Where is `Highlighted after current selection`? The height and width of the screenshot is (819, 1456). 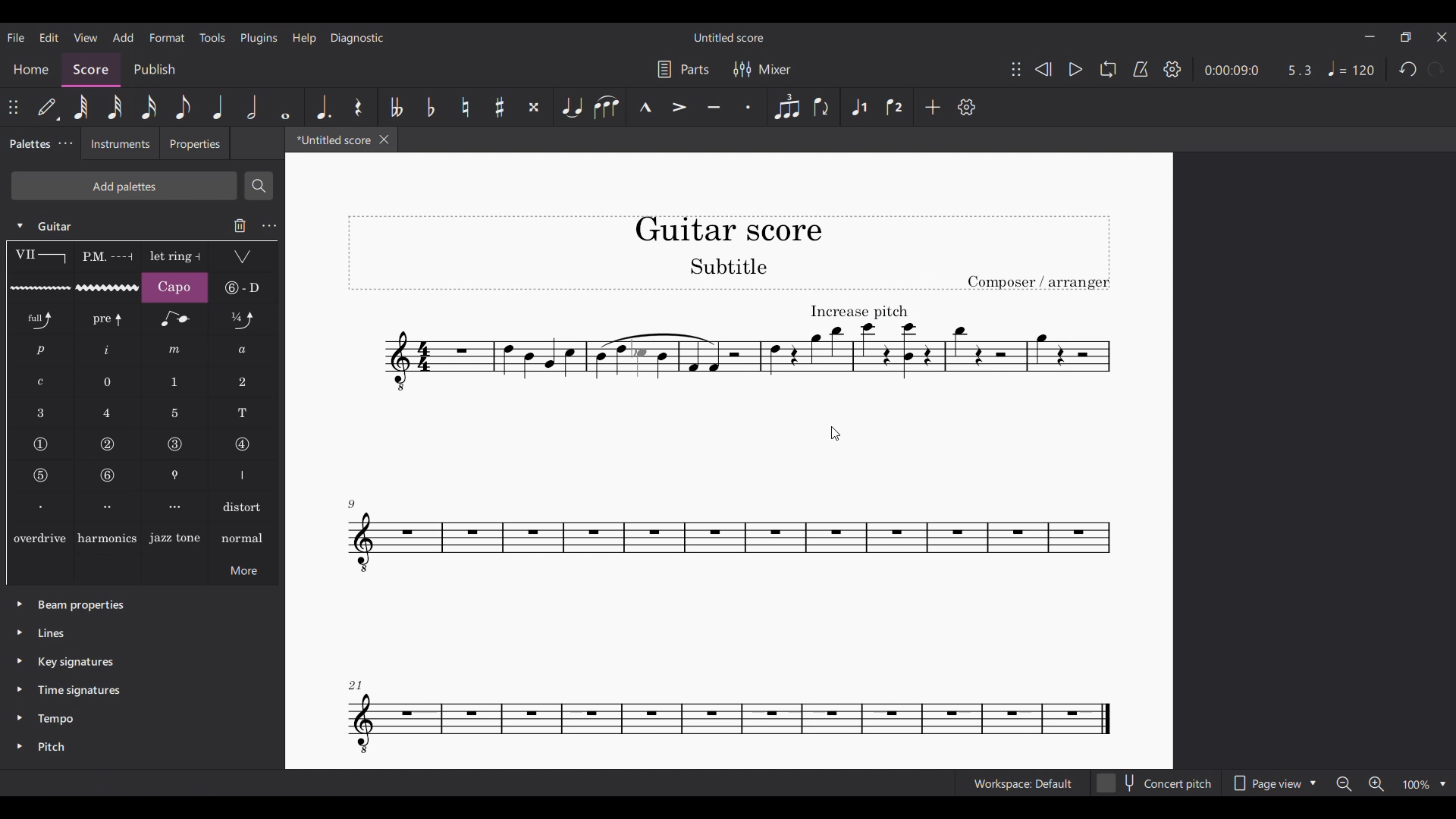
Highlighted after current selection is located at coordinates (861, 108).